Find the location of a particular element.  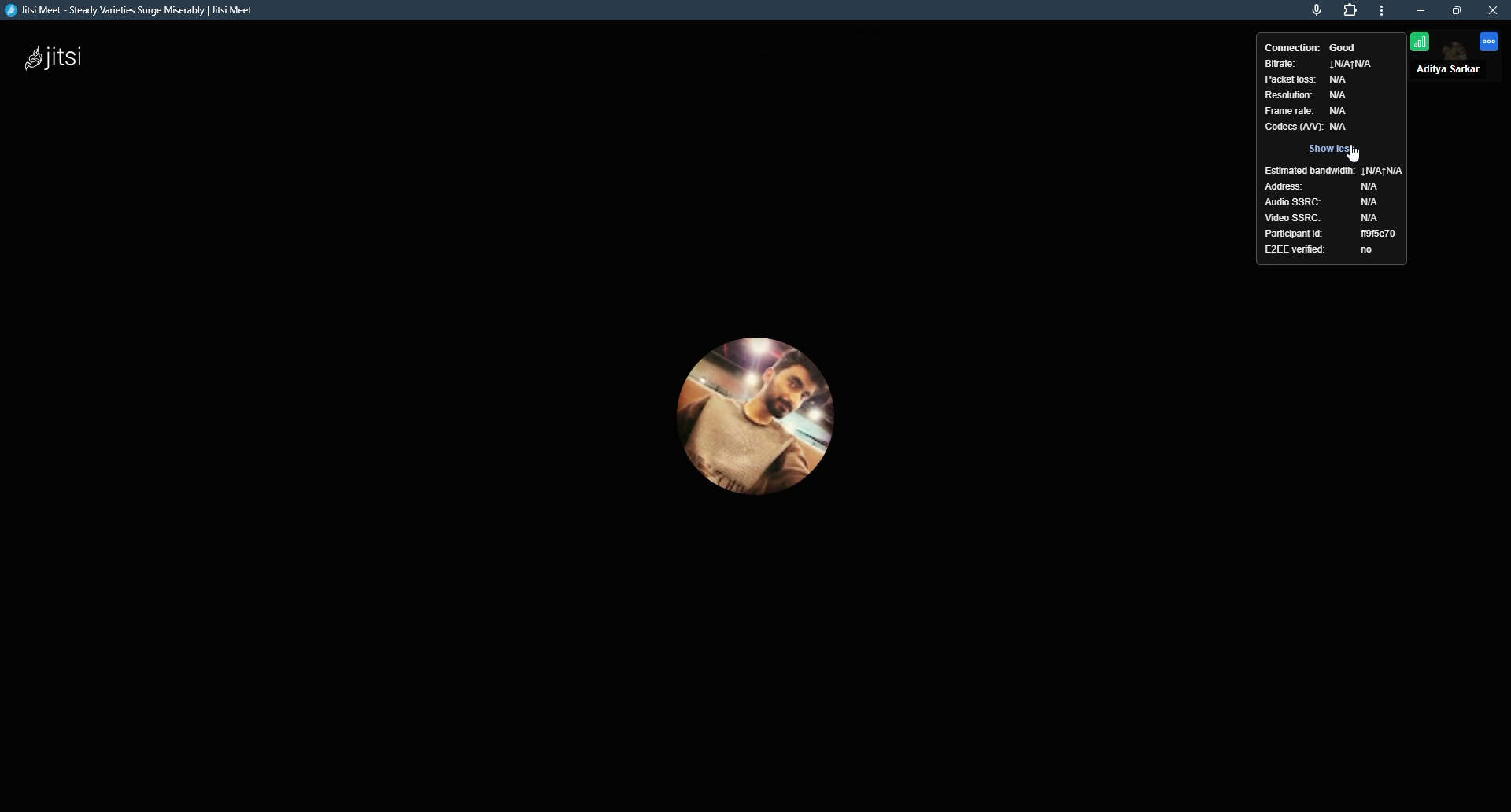

more is located at coordinates (1490, 42).